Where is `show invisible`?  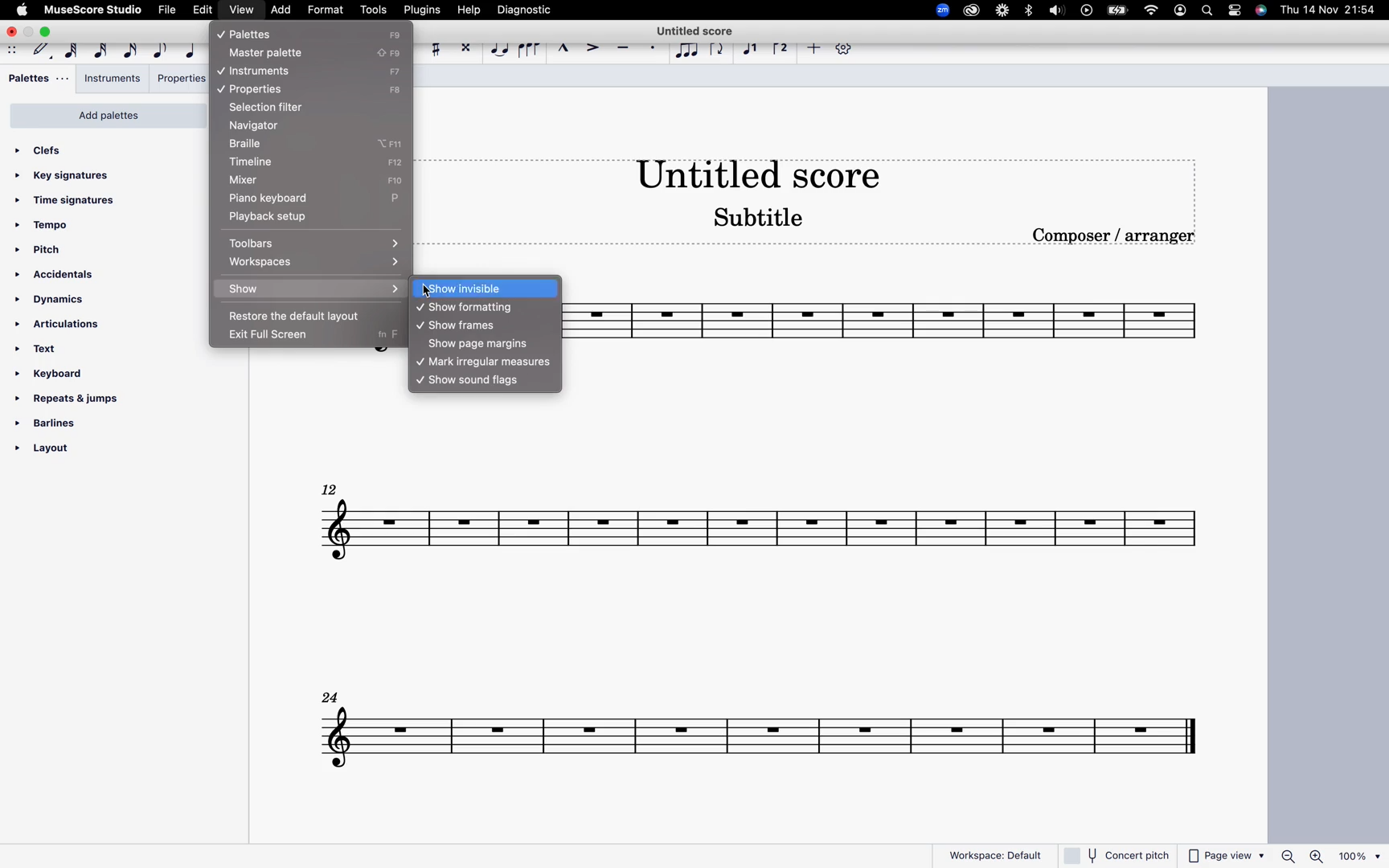 show invisible is located at coordinates (486, 289).